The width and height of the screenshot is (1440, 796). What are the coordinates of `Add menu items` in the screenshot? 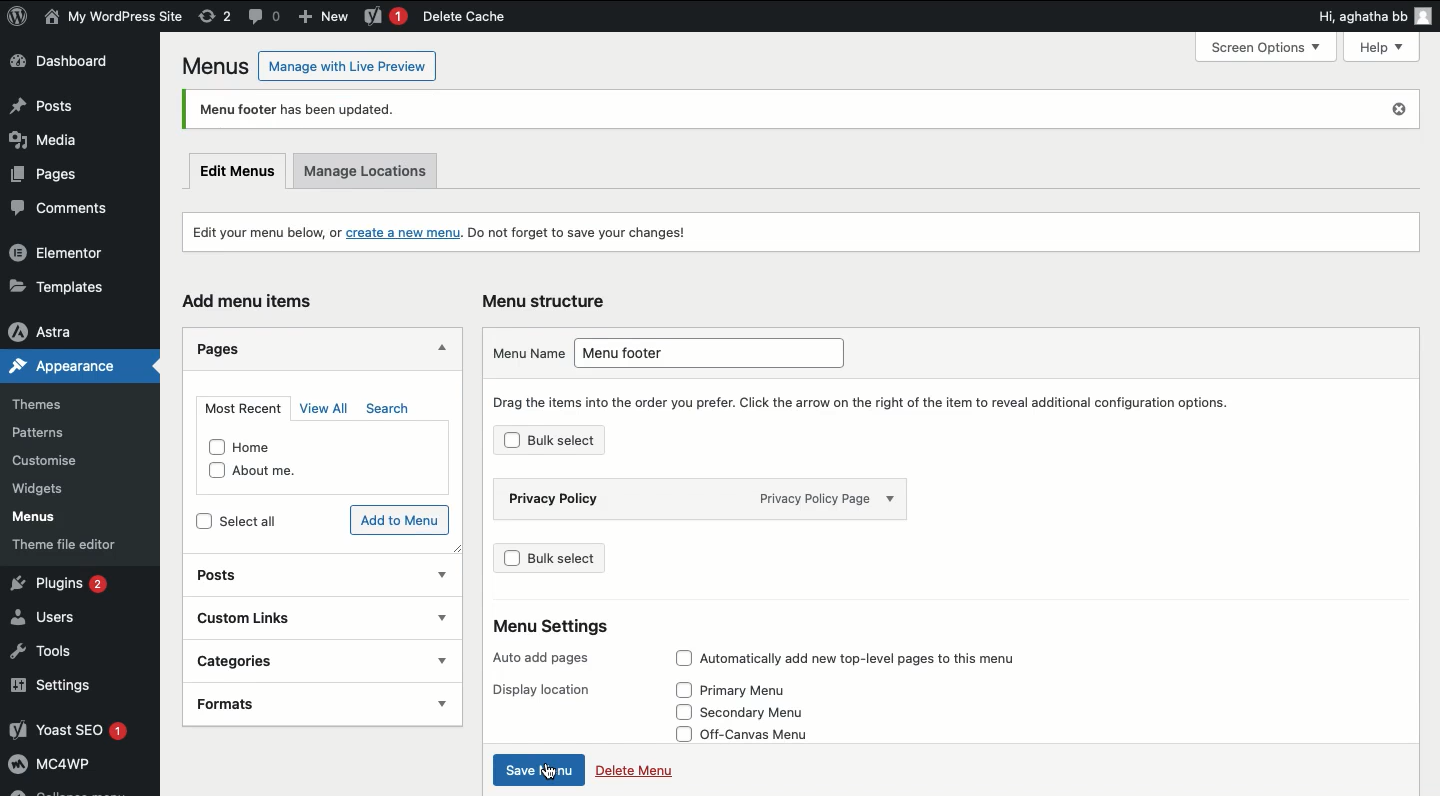 It's located at (256, 302).